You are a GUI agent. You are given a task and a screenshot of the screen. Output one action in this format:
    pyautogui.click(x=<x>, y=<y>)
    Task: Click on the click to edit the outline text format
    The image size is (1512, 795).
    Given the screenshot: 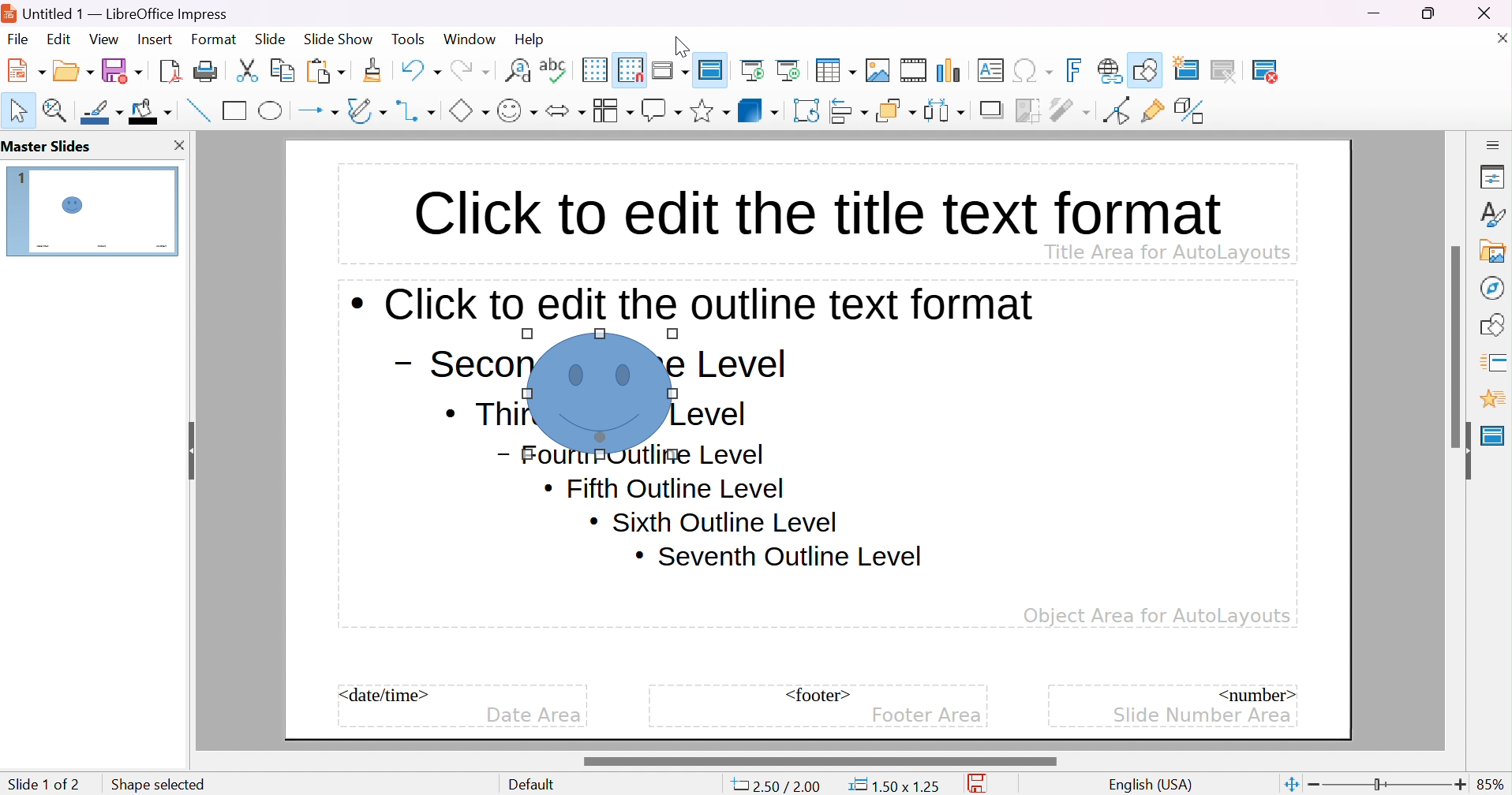 What is the action you would take?
    pyautogui.click(x=694, y=304)
    